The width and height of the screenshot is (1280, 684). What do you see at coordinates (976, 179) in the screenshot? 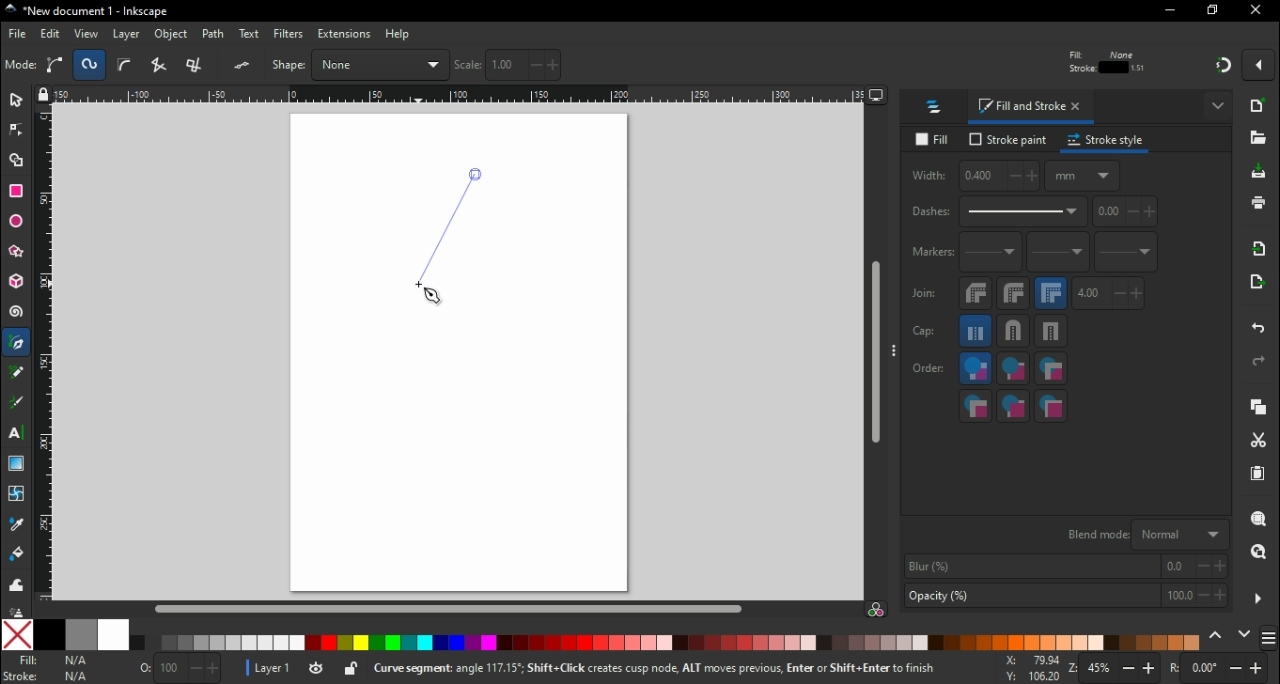
I see `width` at bounding box center [976, 179].